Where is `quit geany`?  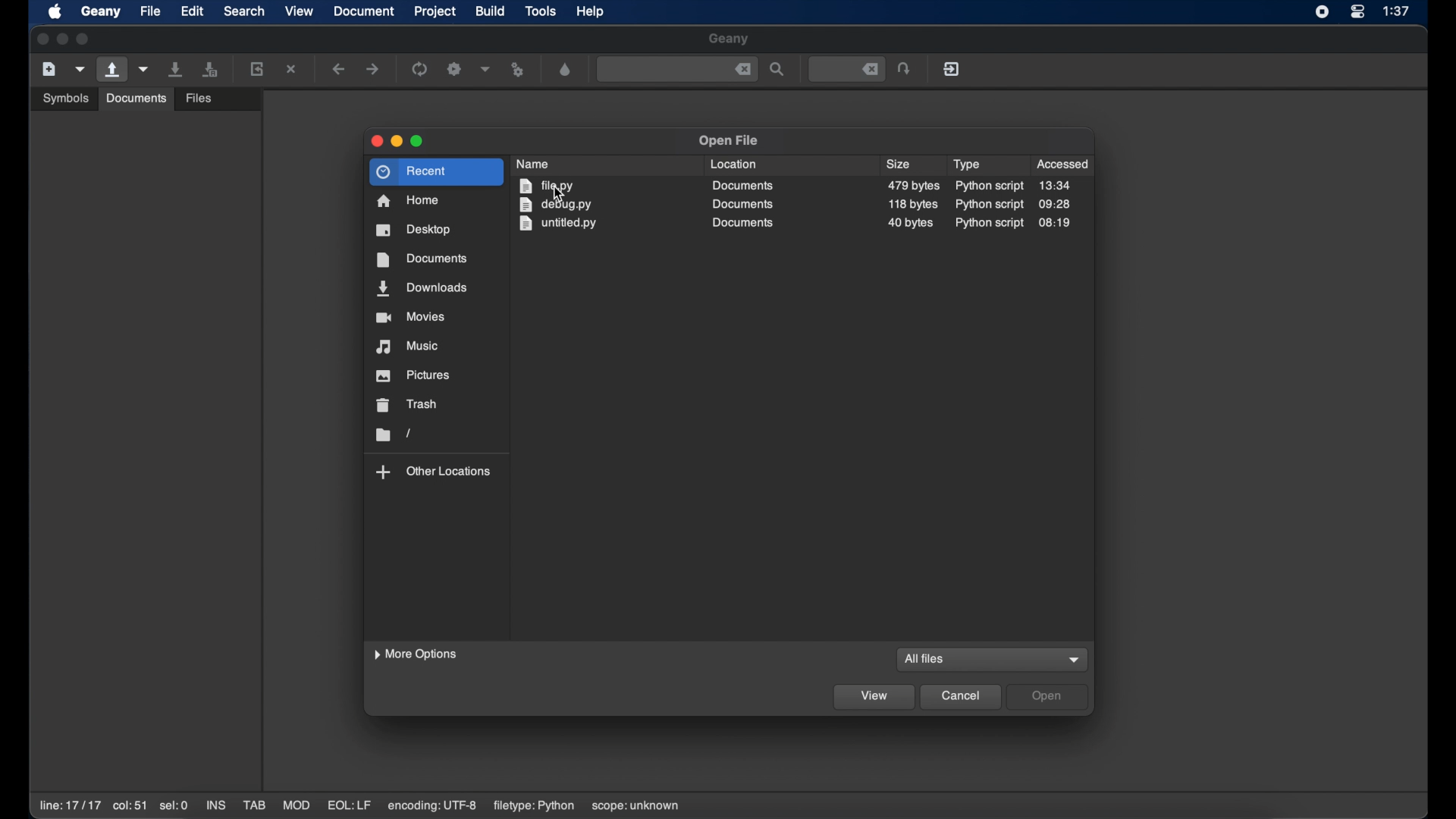
quit geany is located at coordinates (951, 68).